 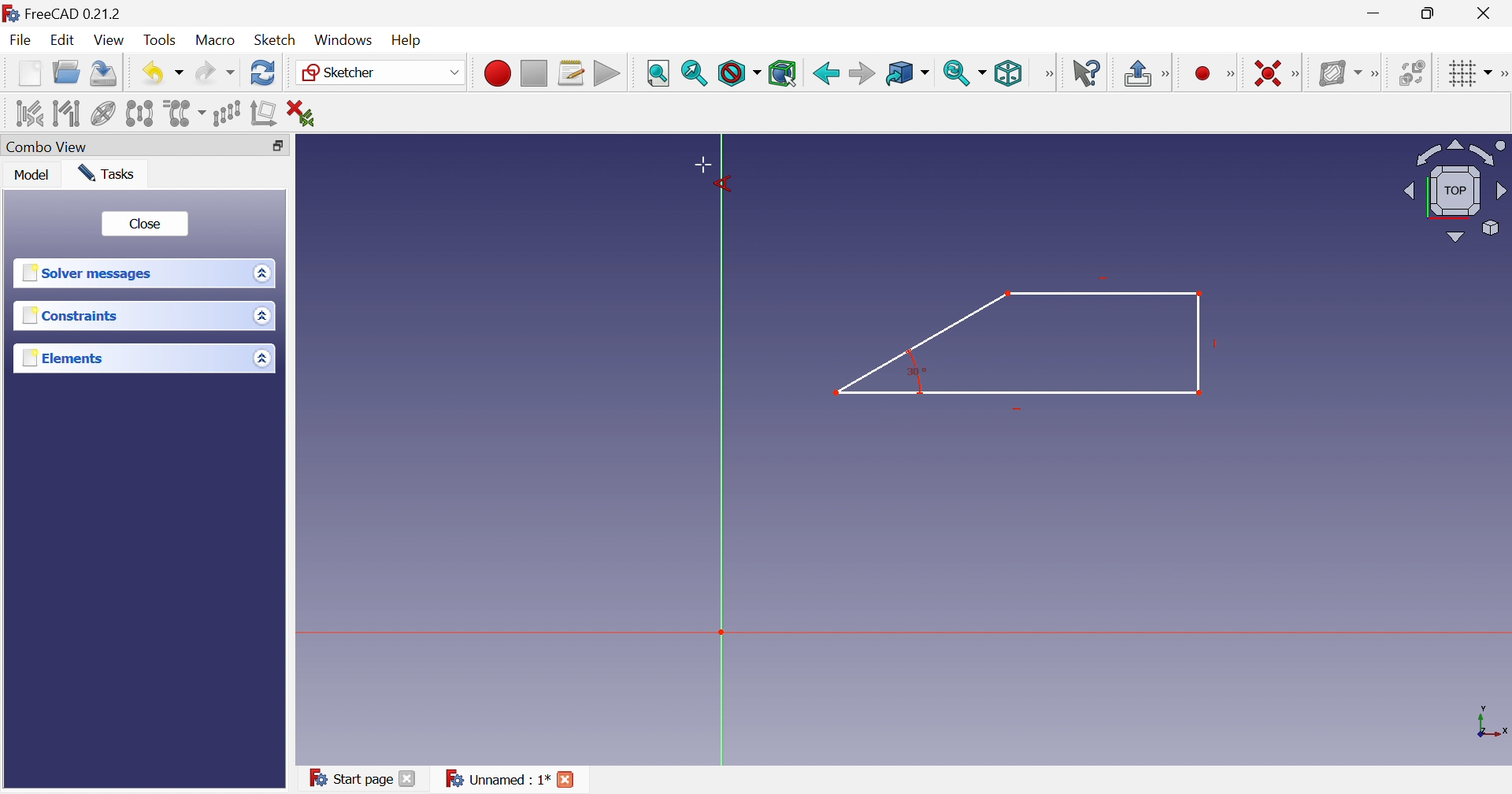 I want to click on Isometric, so click(x=1010, y=73).